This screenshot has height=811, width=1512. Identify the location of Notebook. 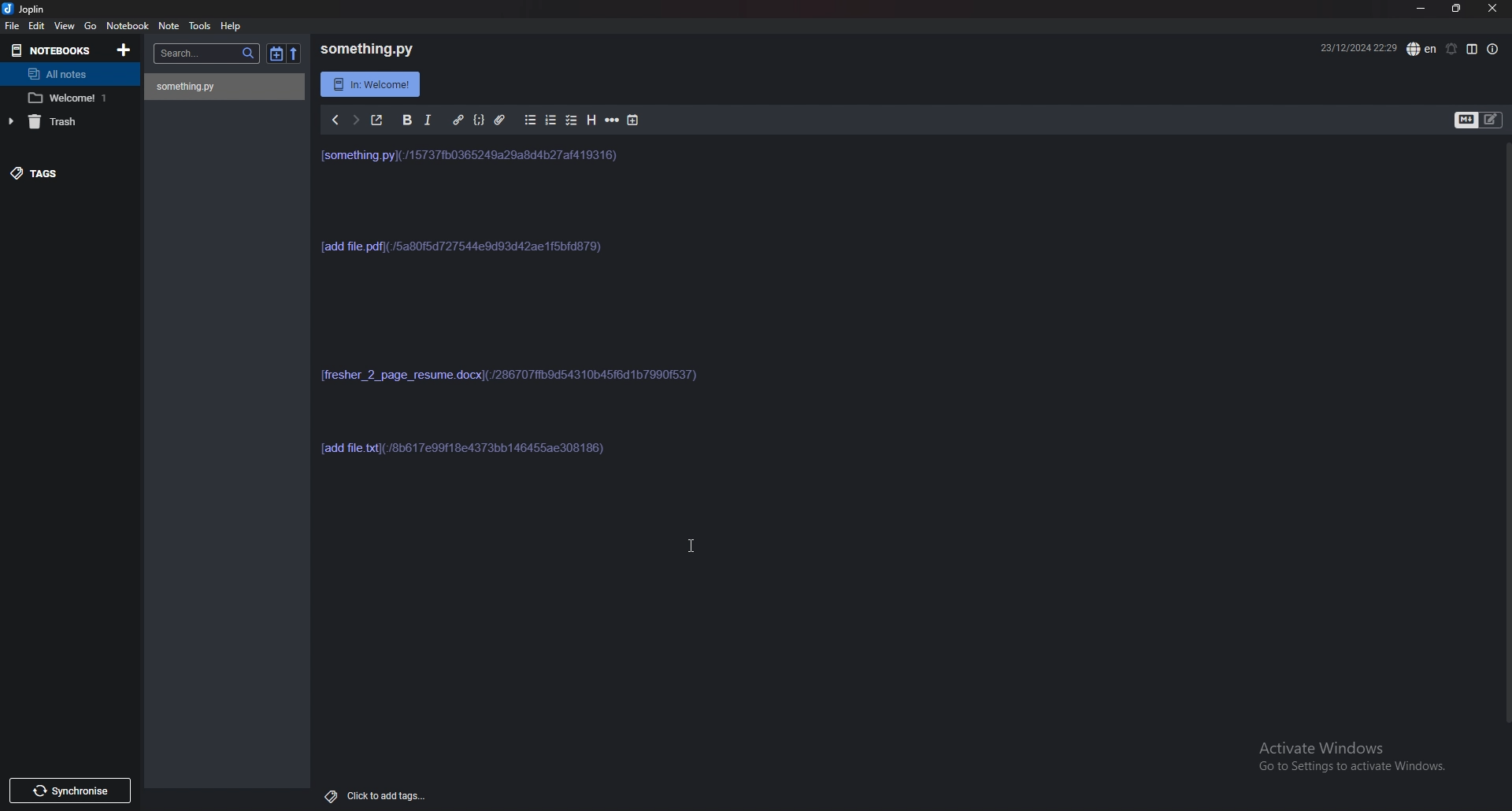
(127, 27).